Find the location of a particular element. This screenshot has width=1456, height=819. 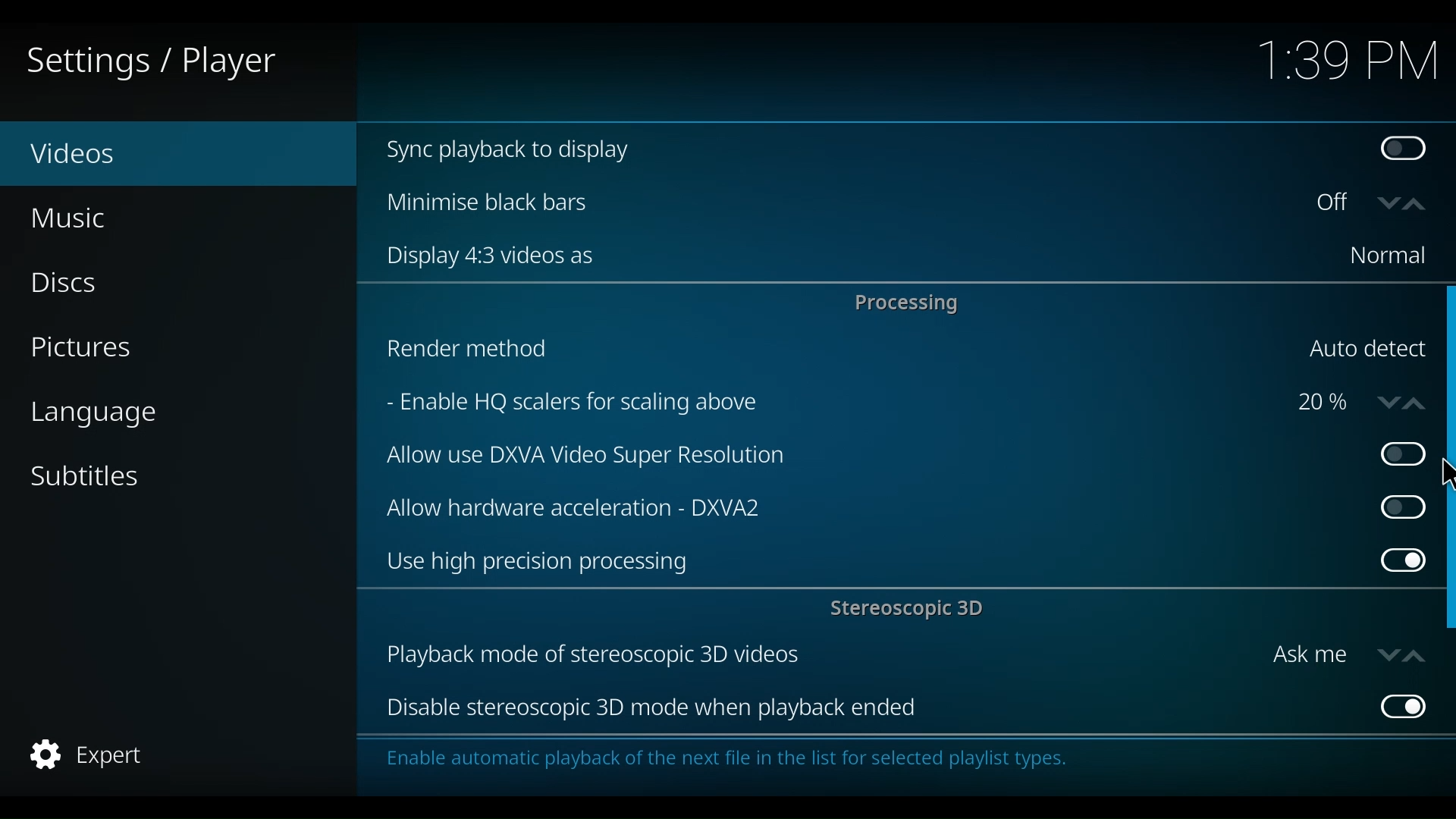

Minimise black bars is located at coordinates (835, 202).